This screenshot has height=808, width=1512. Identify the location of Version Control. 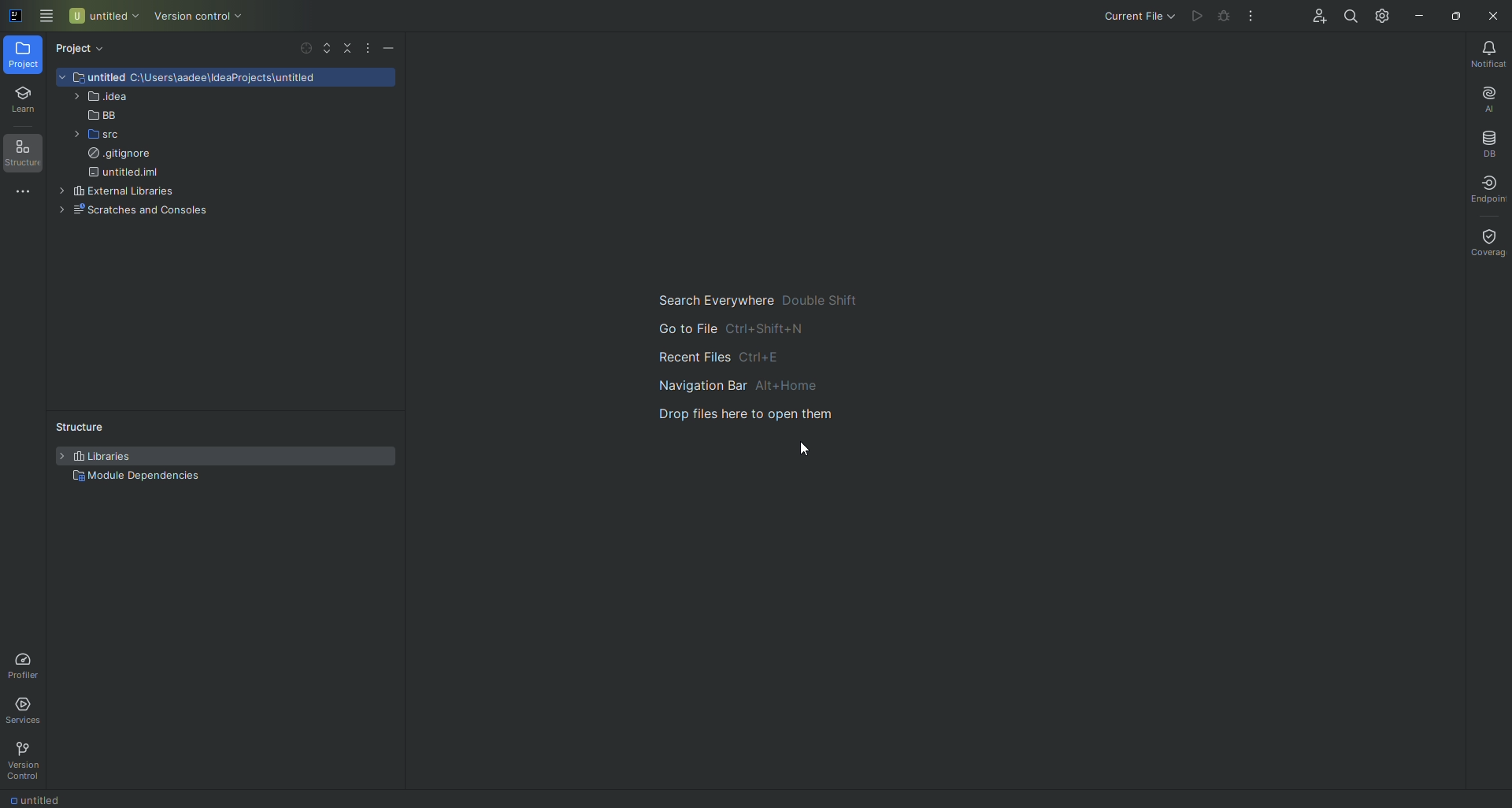
(27, 761).